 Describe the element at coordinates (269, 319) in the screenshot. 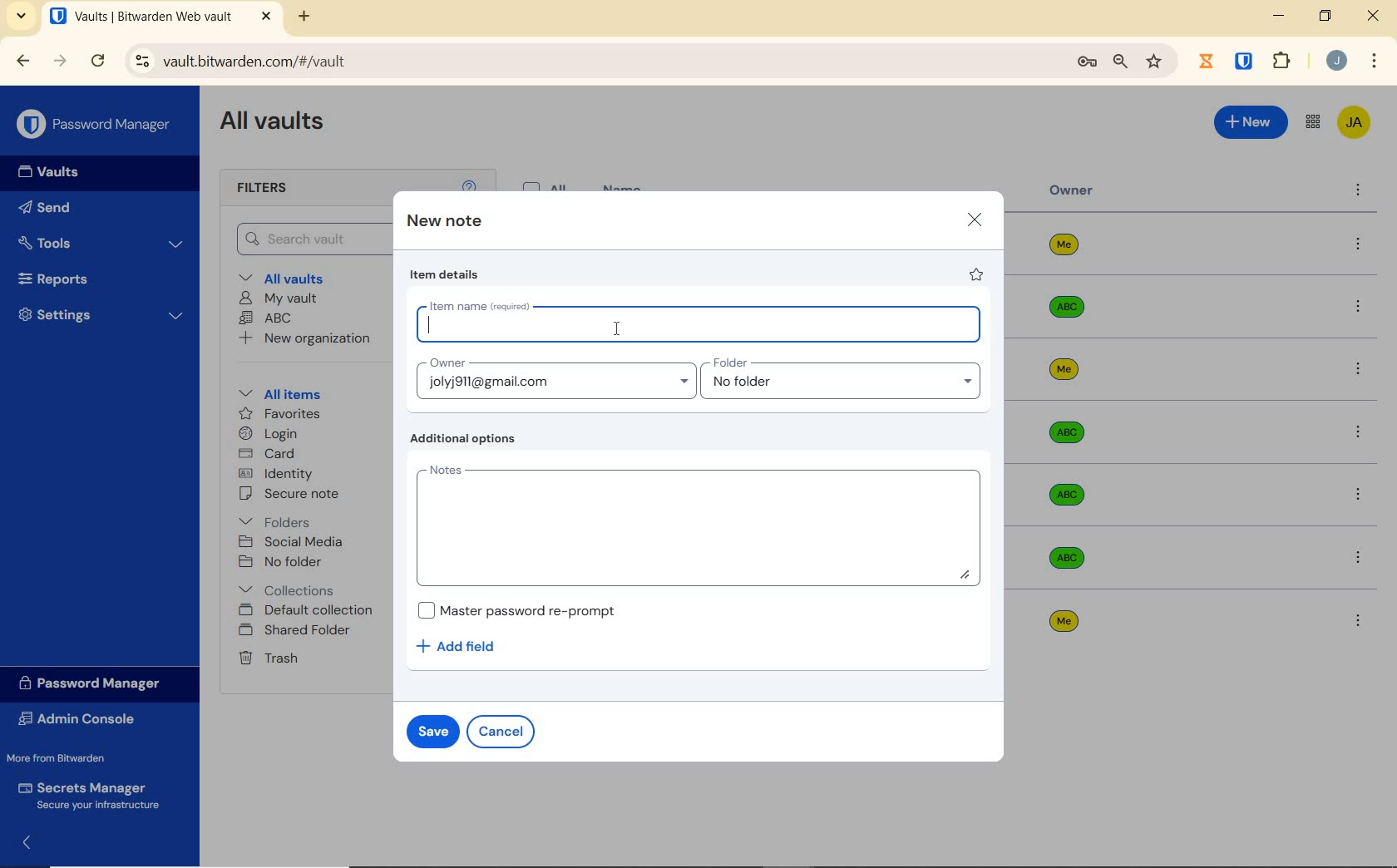

I see `ABC` at that location.